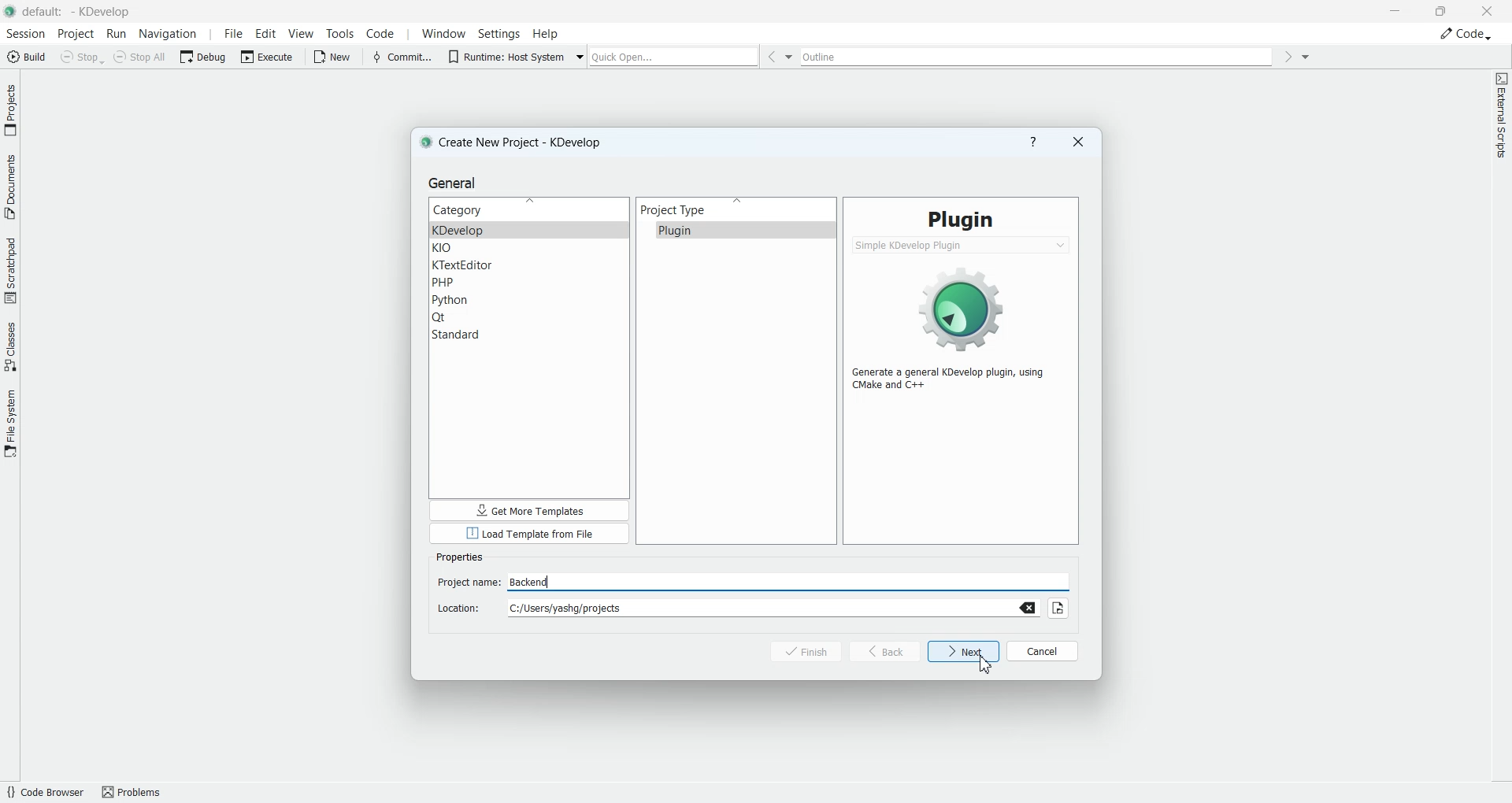  What do you see at coordinates (530, 300) in the screenshot?
I see `Python` at bounding box center [530, 300].